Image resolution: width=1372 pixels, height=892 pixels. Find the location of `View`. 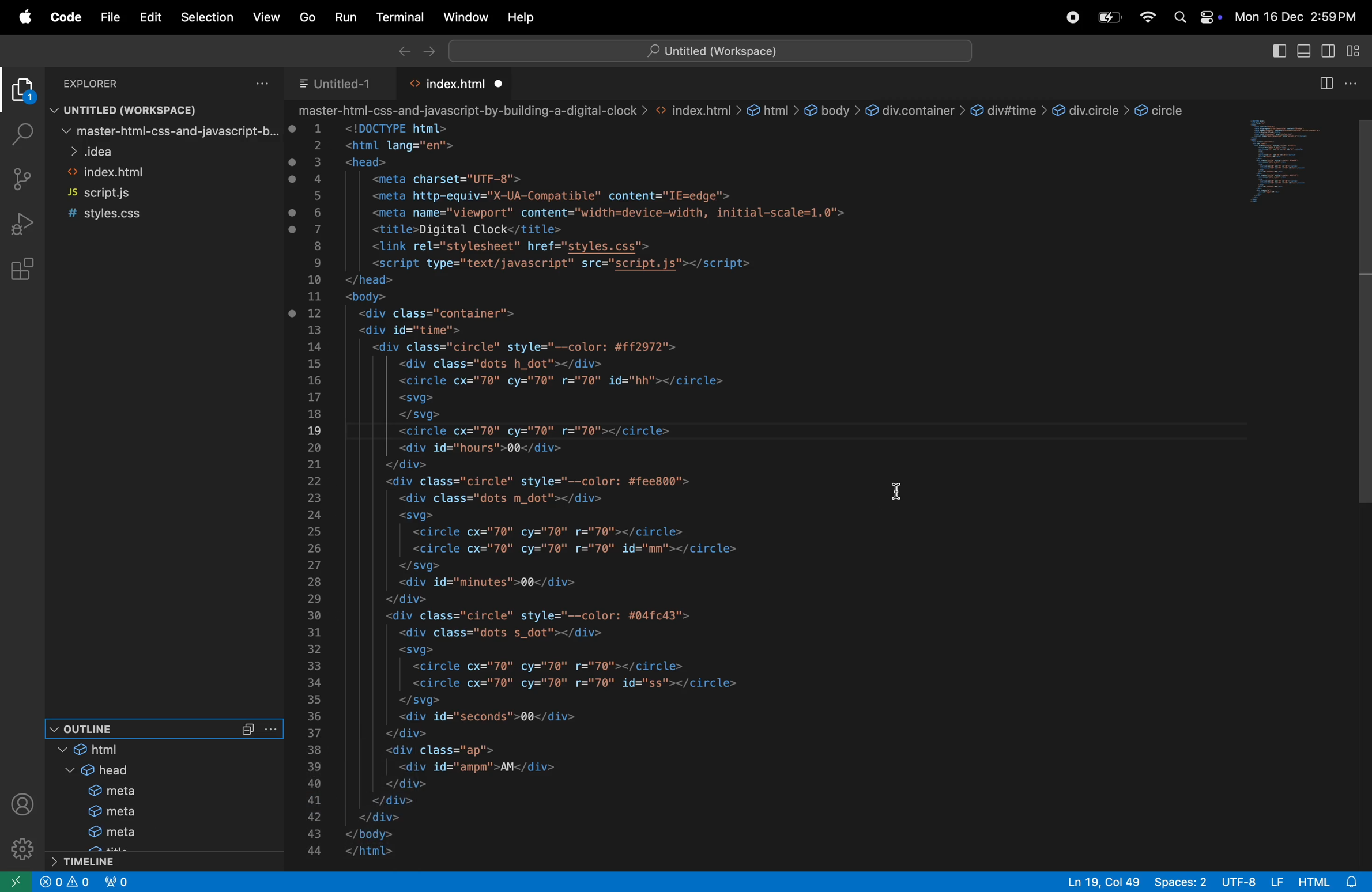

View is located at coordinates (265, 20).